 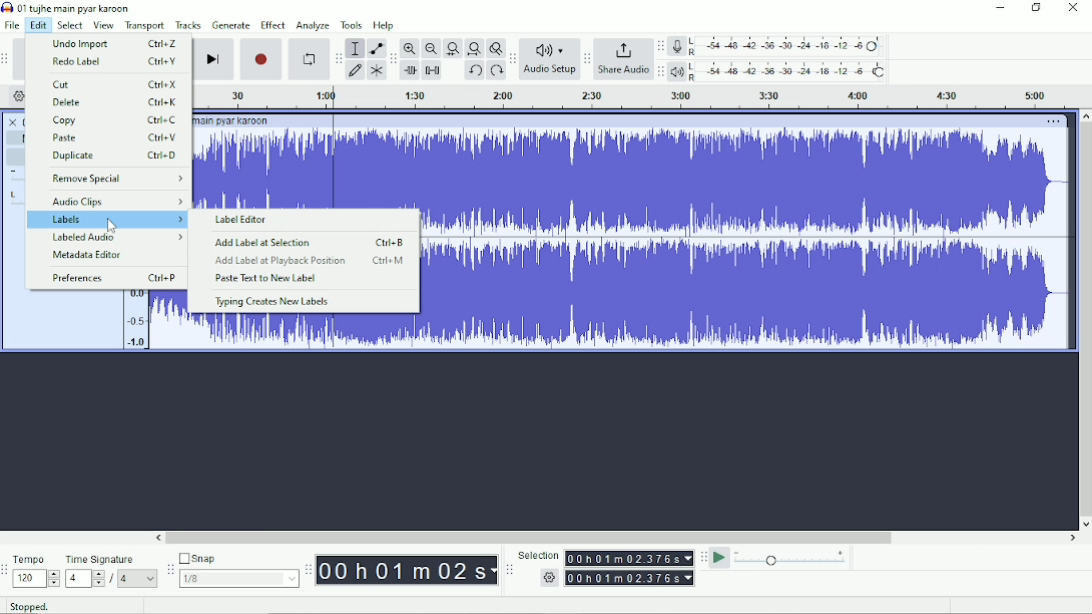 I want to click on Audio Clips, so click(x=116, y=201).